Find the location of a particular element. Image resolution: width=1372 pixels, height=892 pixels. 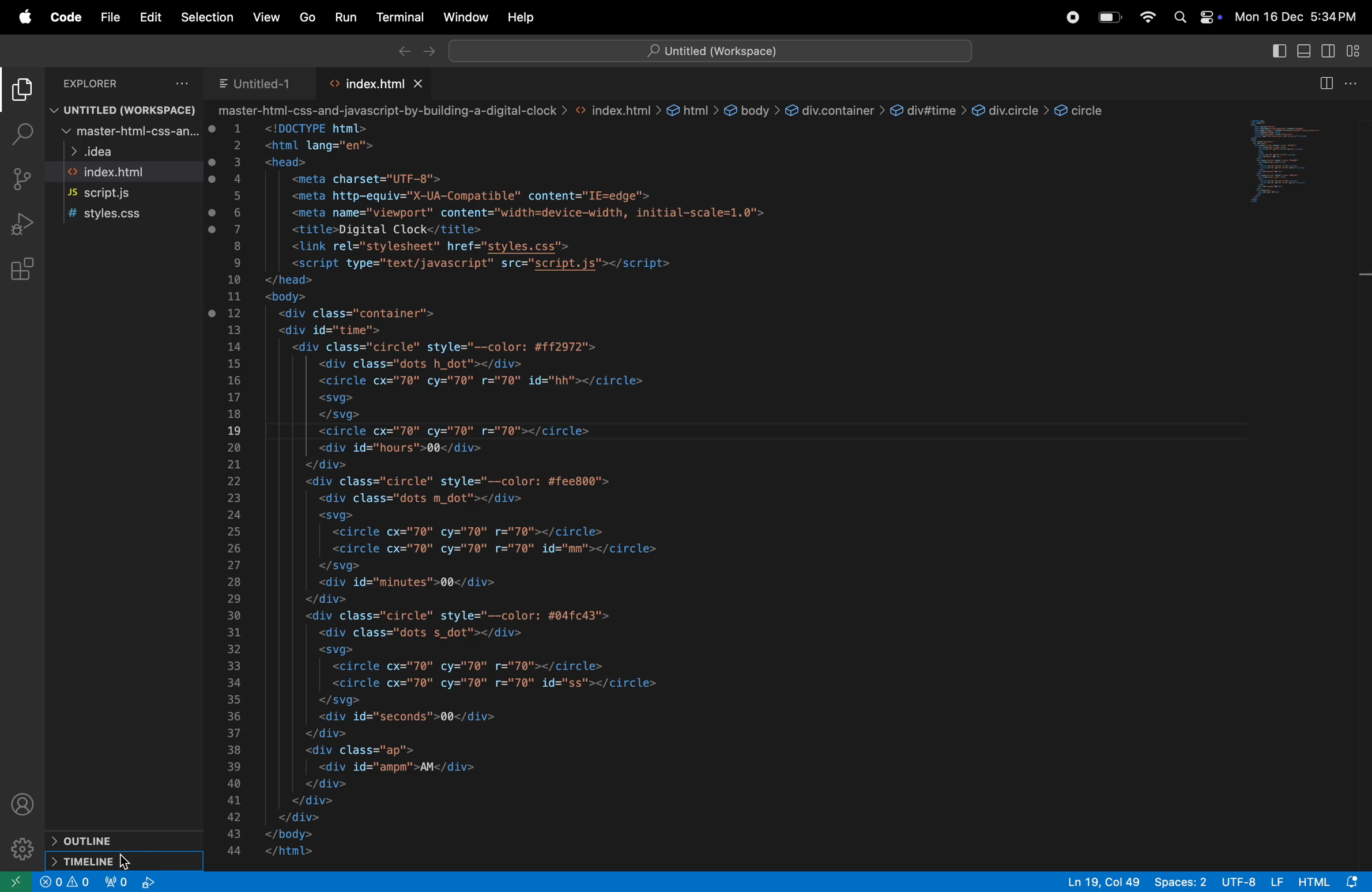

| <circle cx="70" cy="70" r="70" id="hh"></circle> is located at coordinates (481, 380).